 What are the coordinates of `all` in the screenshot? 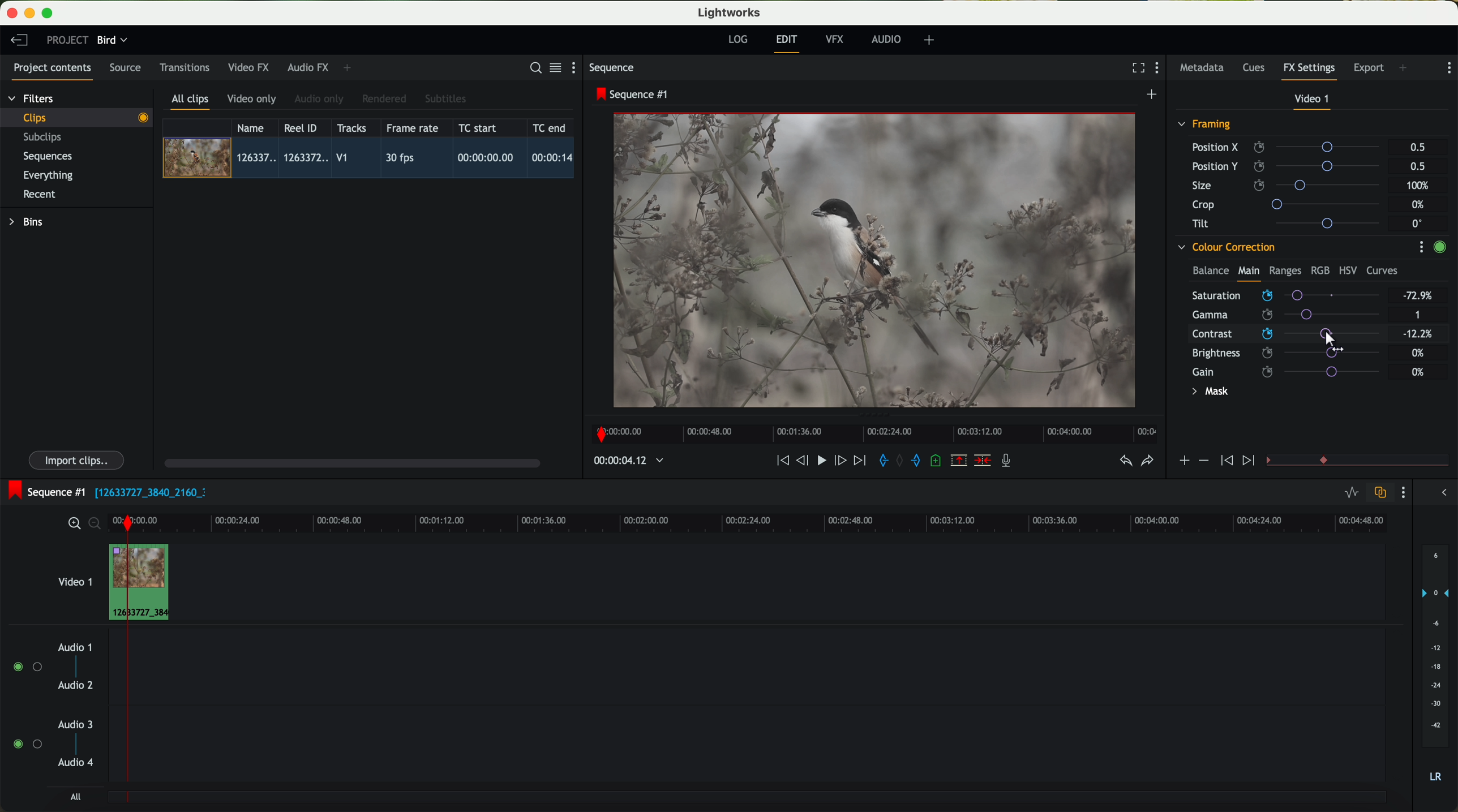 It's located at (75, 797).